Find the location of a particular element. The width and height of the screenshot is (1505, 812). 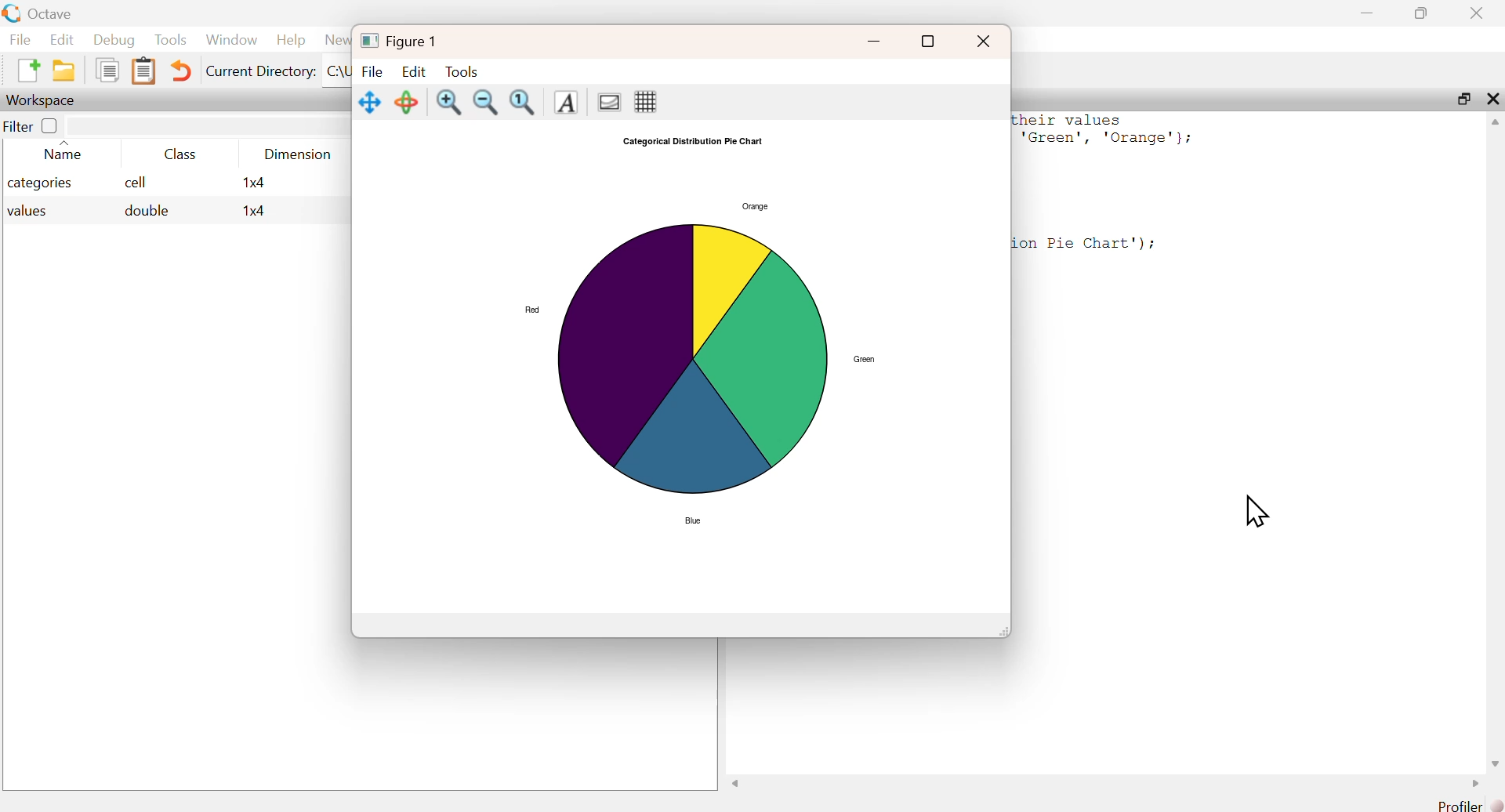

Tools is located at coordinates (463, 71).